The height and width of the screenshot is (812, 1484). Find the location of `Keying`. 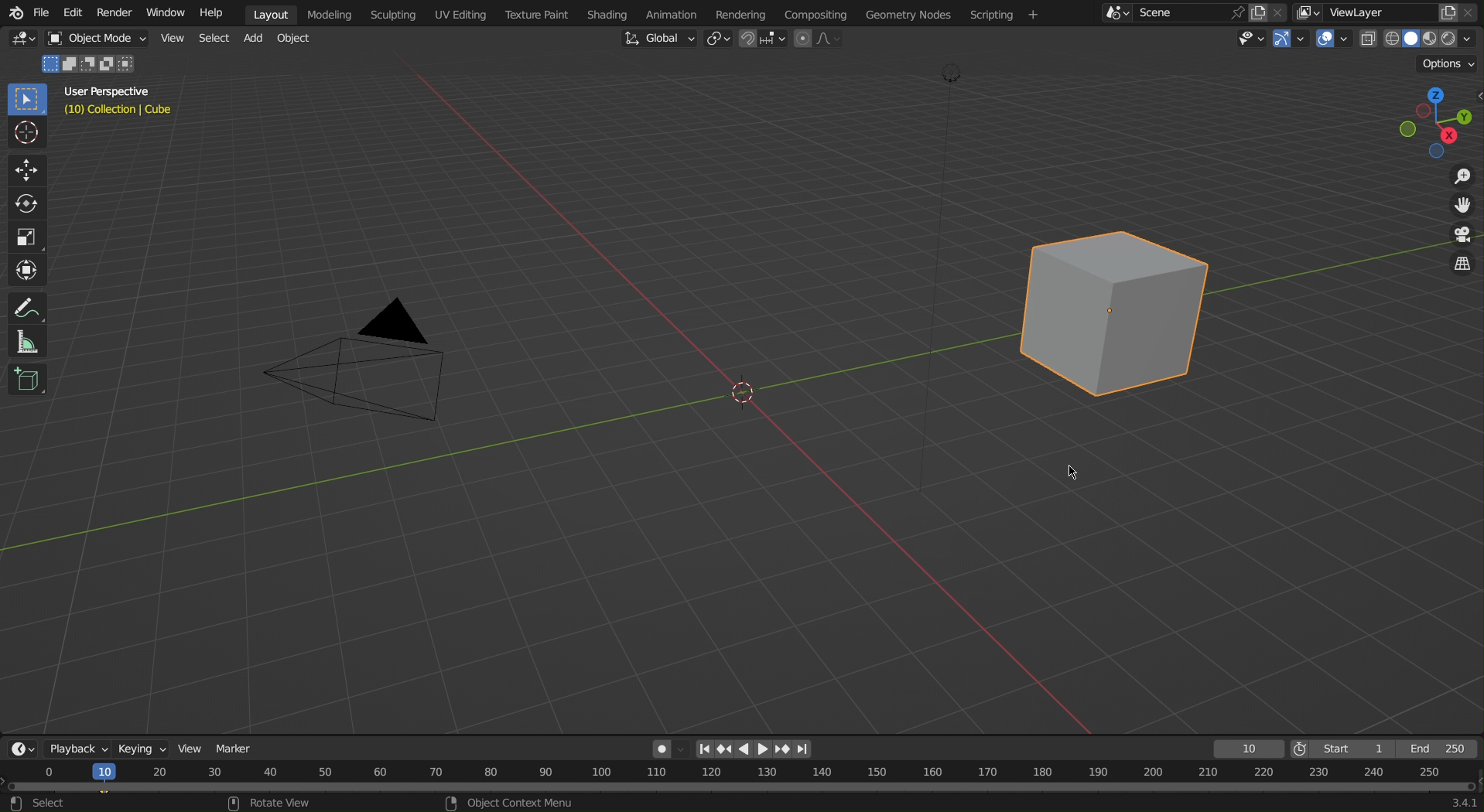

Keying is located at coordinates (139, 746).